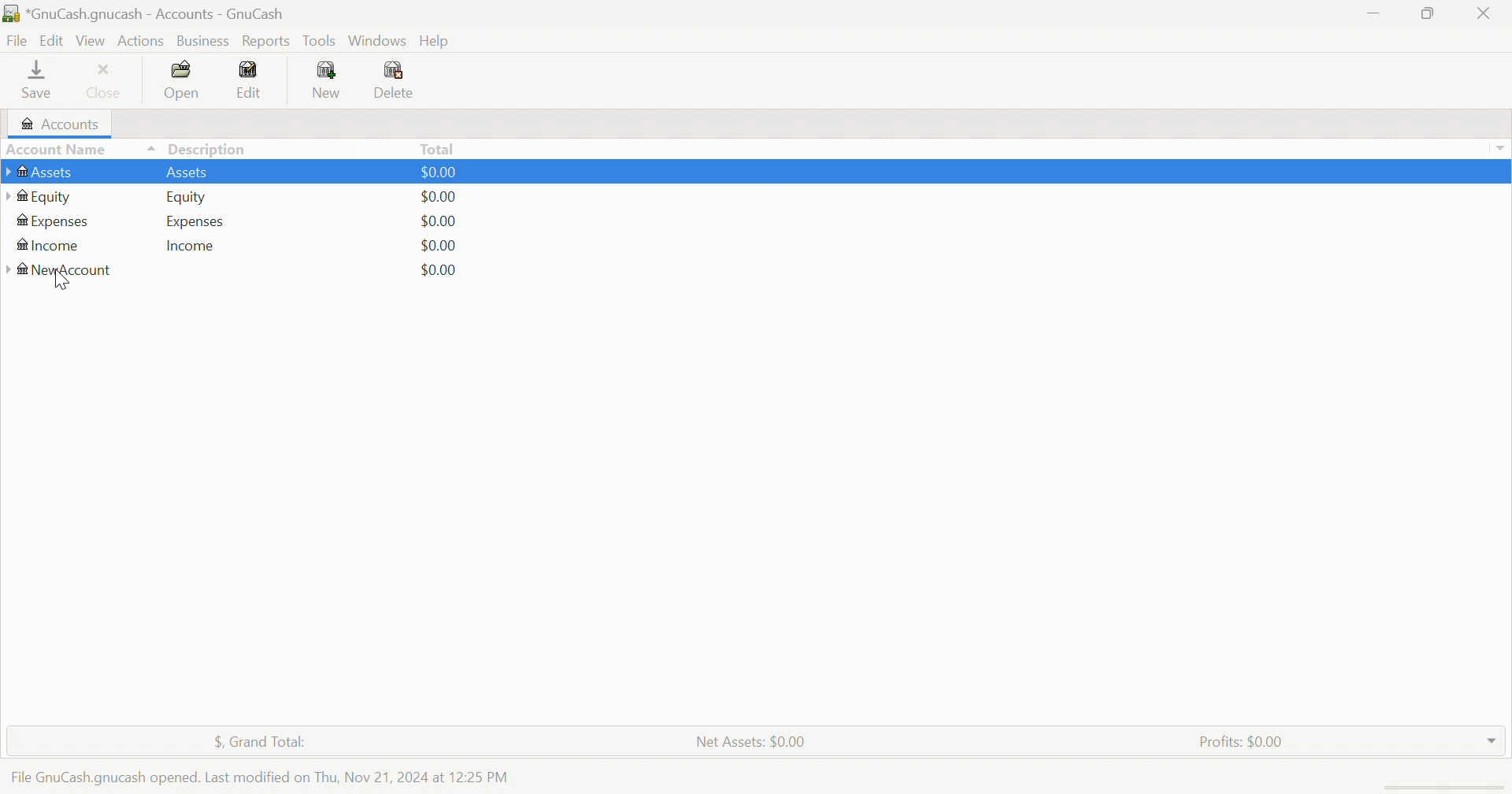 Image resolution: width=1512 pixels, height=794 pixels. I want to click on Restore Down, so click(1430, 12).